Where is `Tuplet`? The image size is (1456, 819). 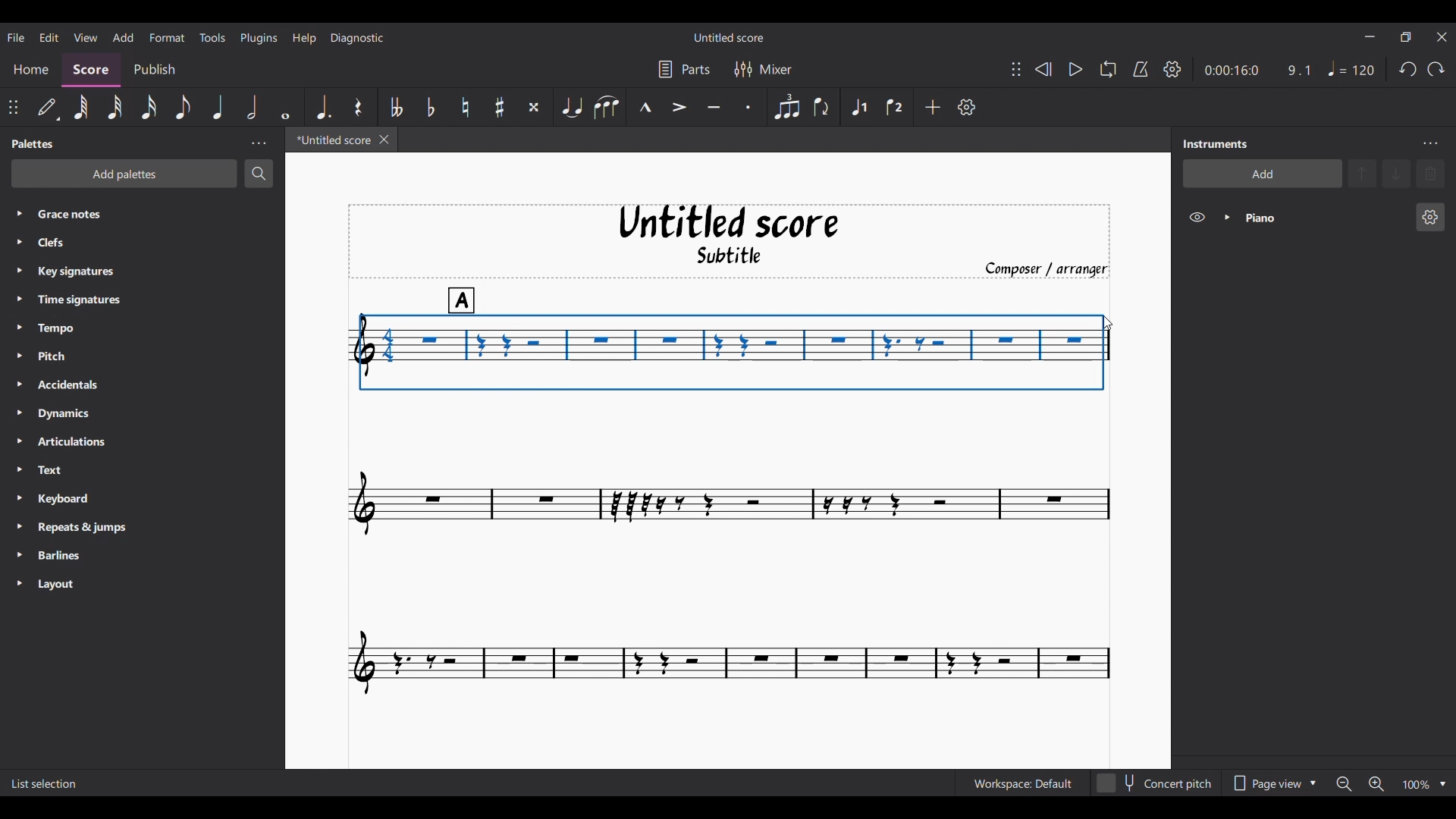 Tuplet is located at coordinates (787, 108).